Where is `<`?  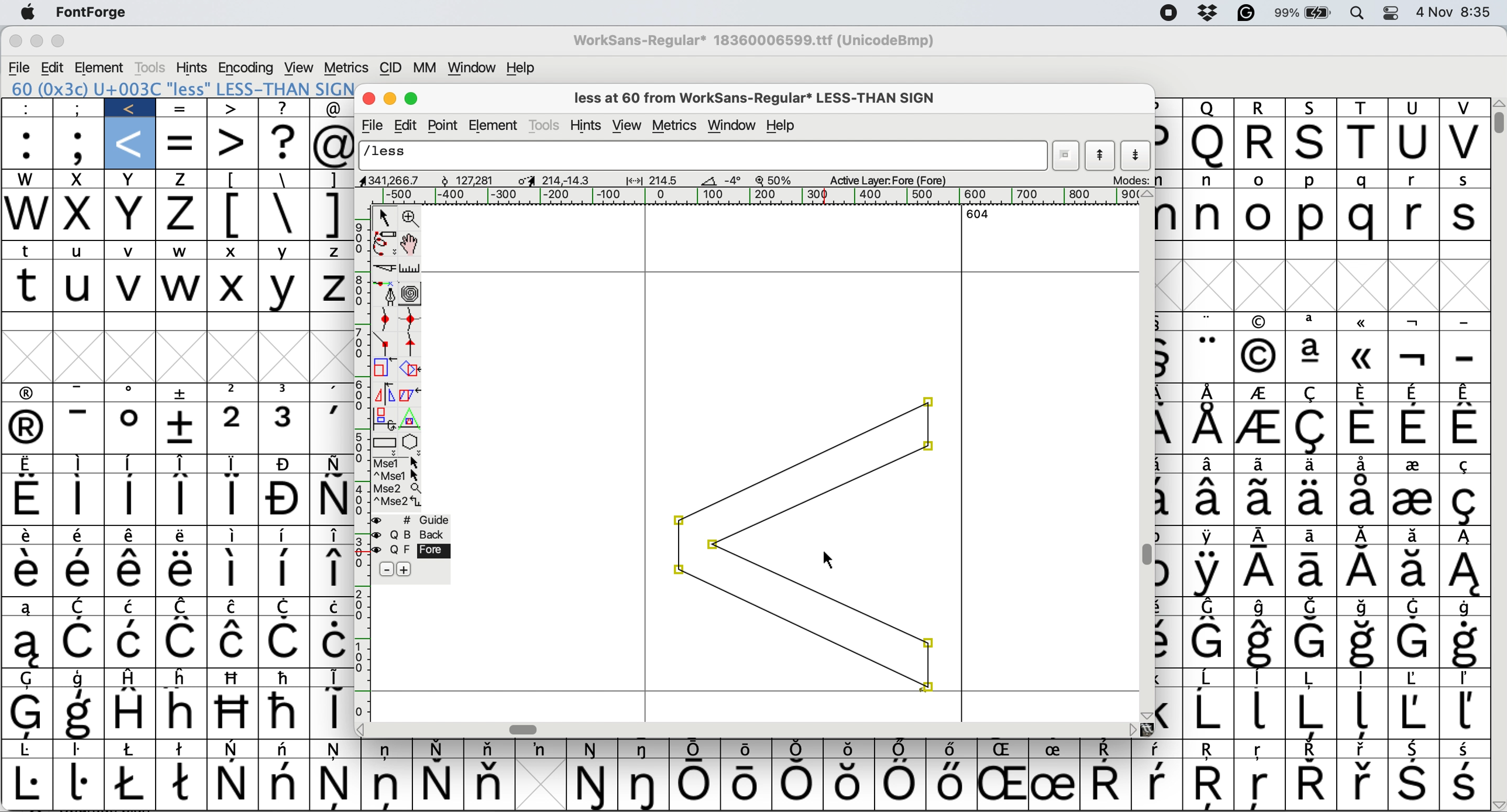
< is located at coordinates (132, 143).